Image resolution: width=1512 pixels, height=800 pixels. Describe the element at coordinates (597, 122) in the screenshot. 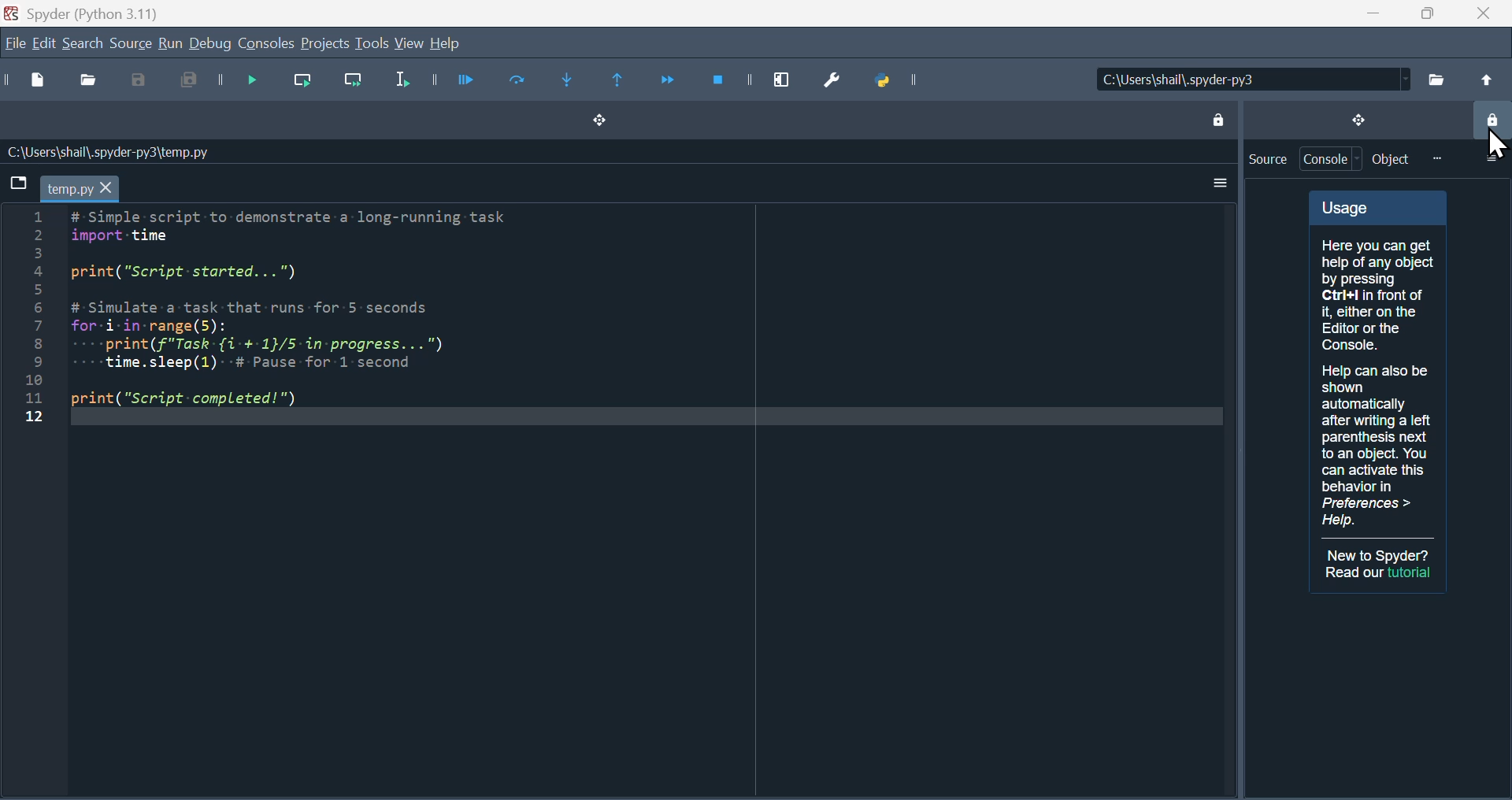

I see `Drag and drop button` at that location.